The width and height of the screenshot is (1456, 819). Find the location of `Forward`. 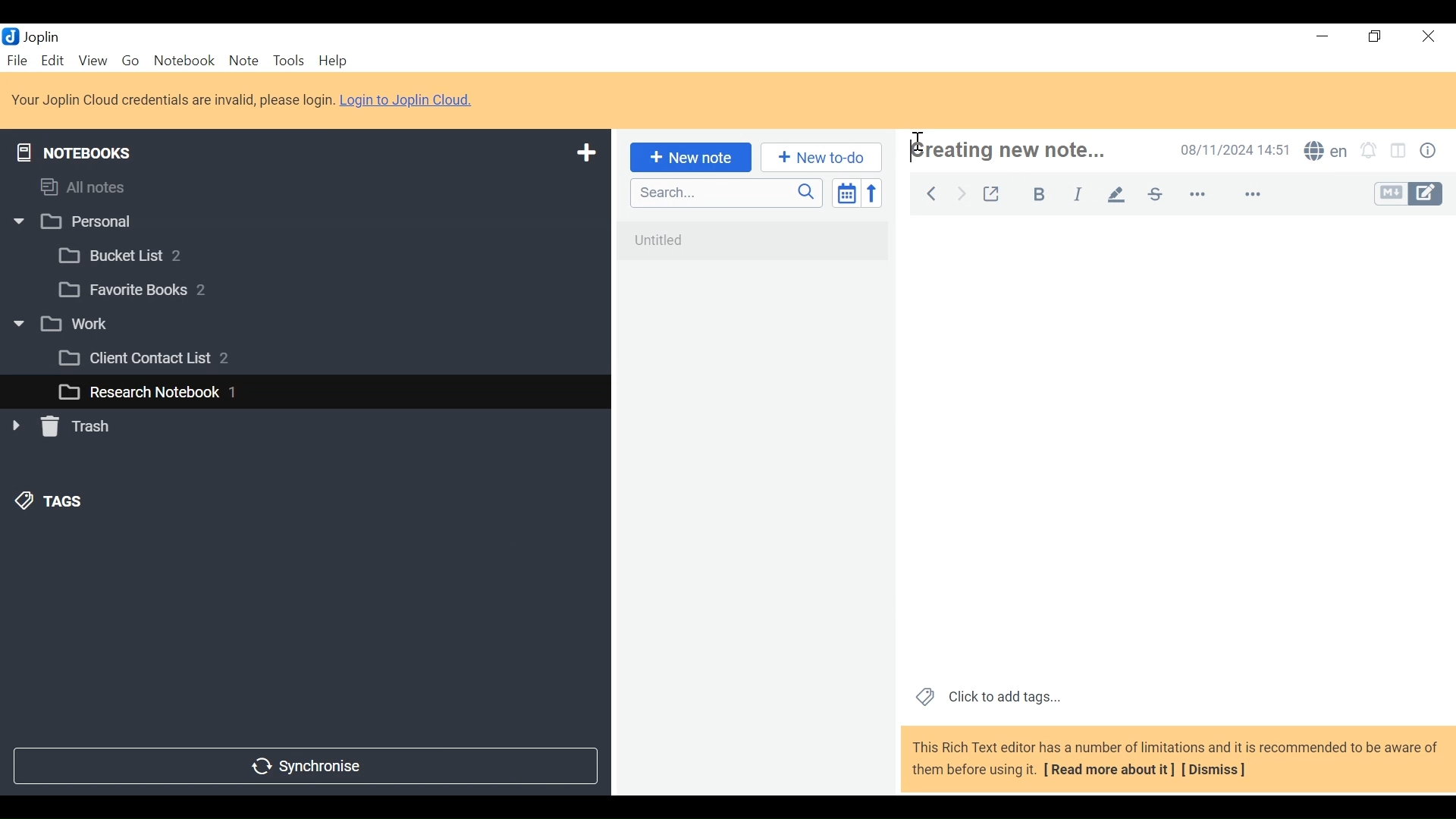

Forward is located at coordinates (962, 192).